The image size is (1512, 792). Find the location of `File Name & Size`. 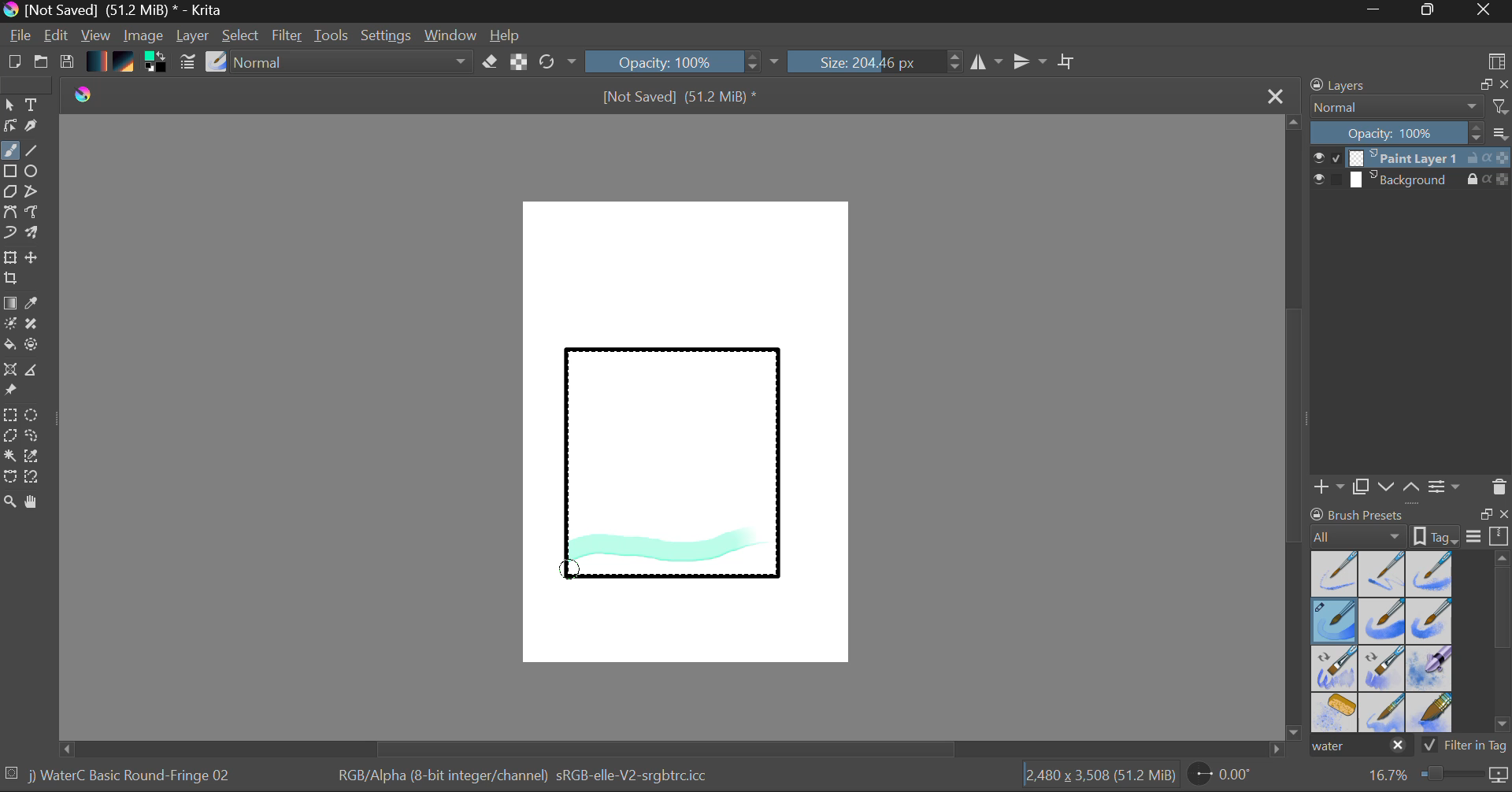

File Name & Size is located at coordinates (680, 98).